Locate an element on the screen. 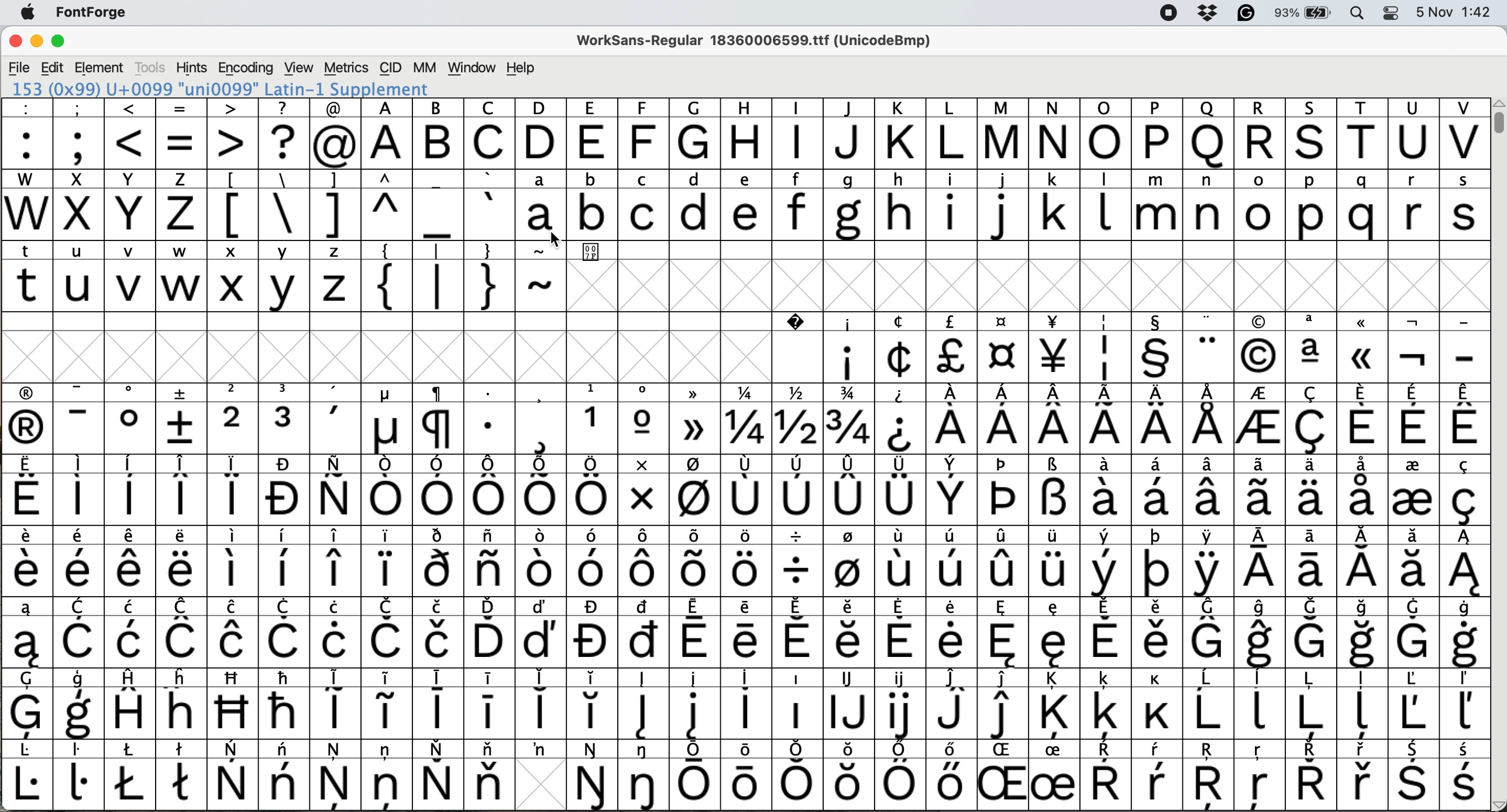 The image size is (1507, 812). symbol is located at coordinates (1464, 562).